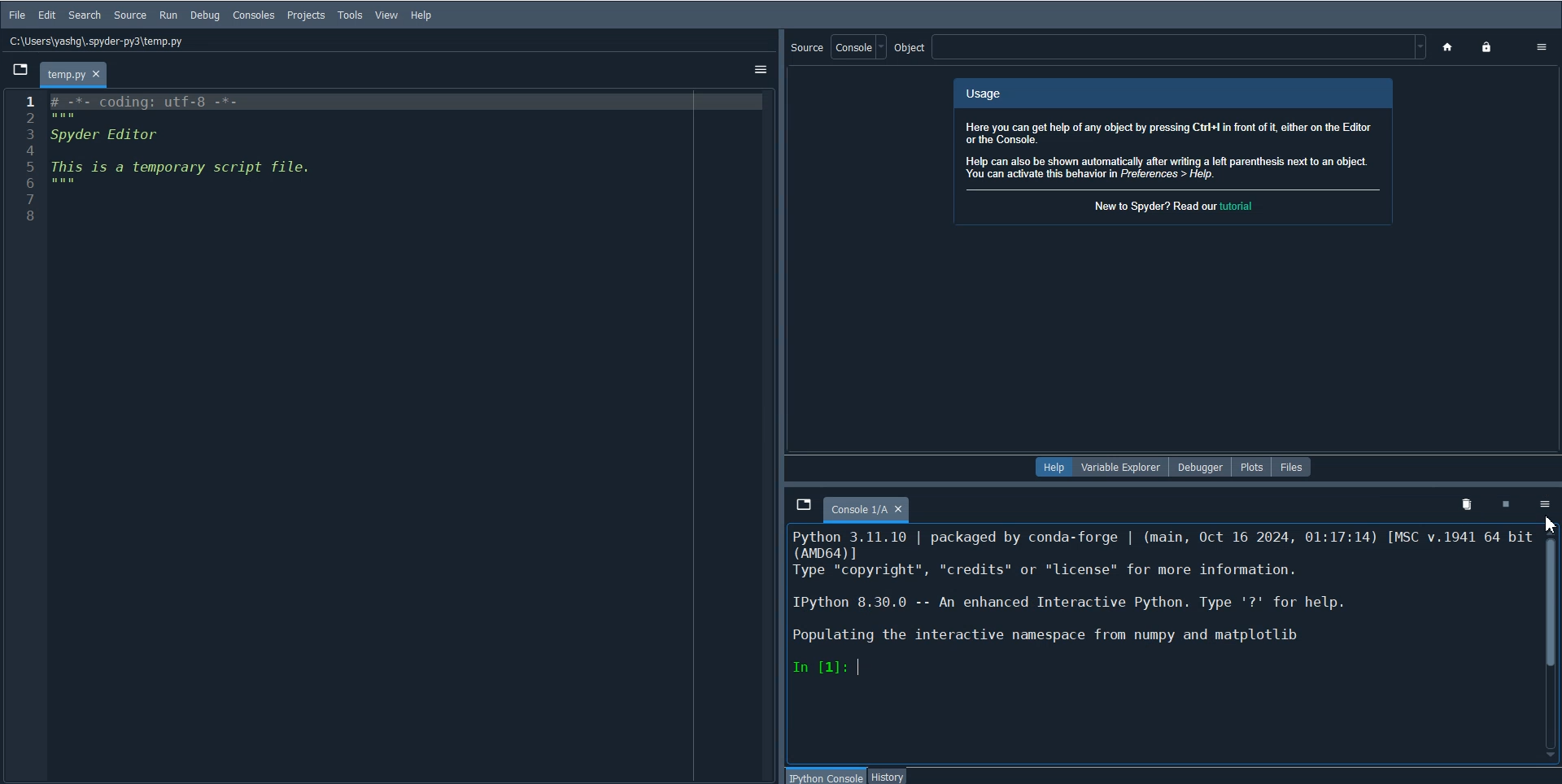  Describe the element at coordinates (805, 506) in the screenshot. I see `Browse Tab` at that location.